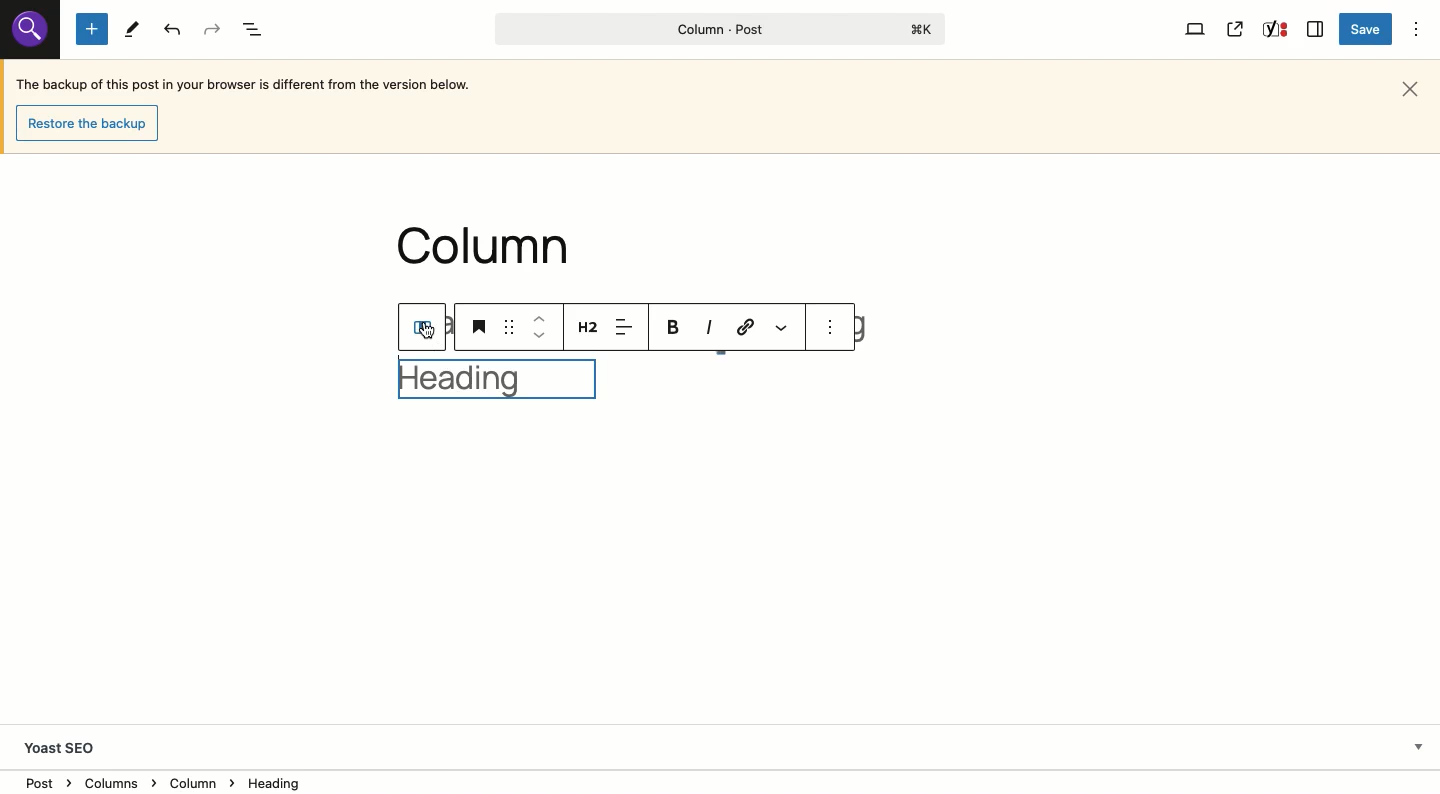  What do you see at coordinates (709, 327) in the screenshot?
I see `Italics` at bounding box center [709, 327].